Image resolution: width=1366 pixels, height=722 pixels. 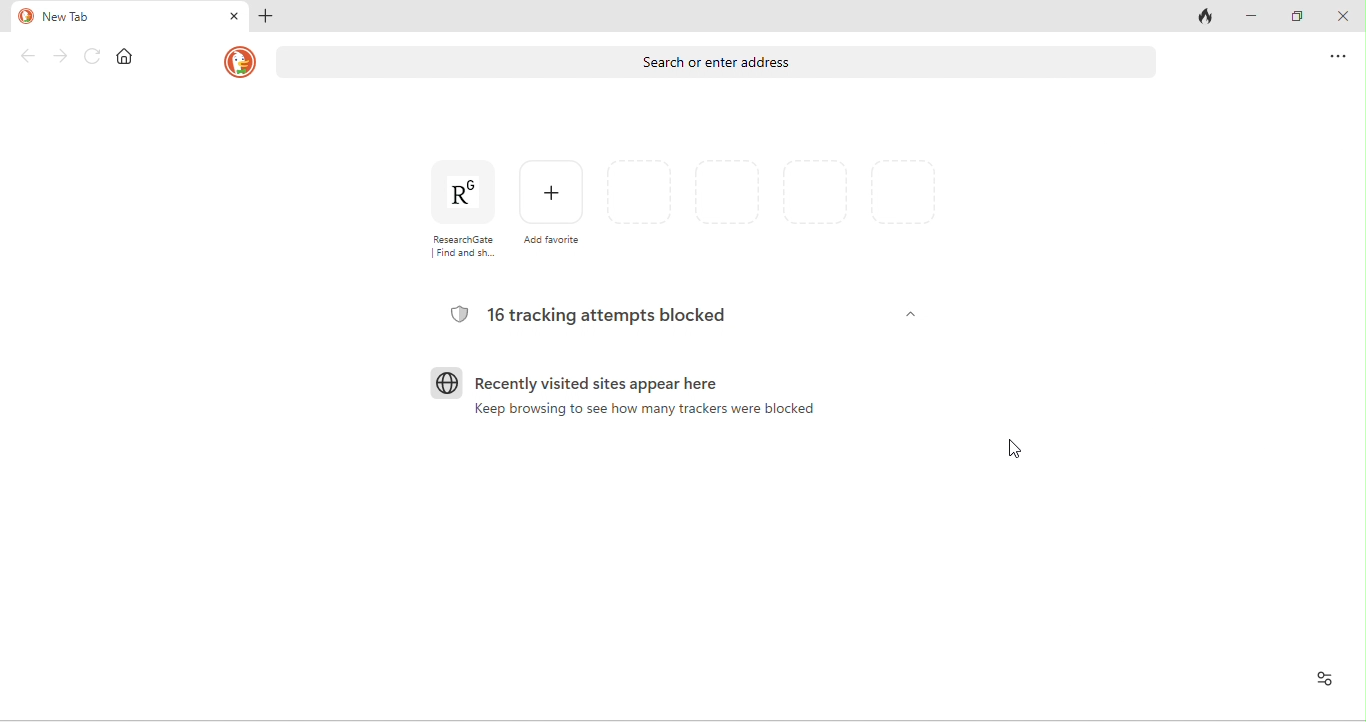 What do you see at coordinates (94, 57) in the screenshot?
I see `reload` at bounding box center [94, 57].